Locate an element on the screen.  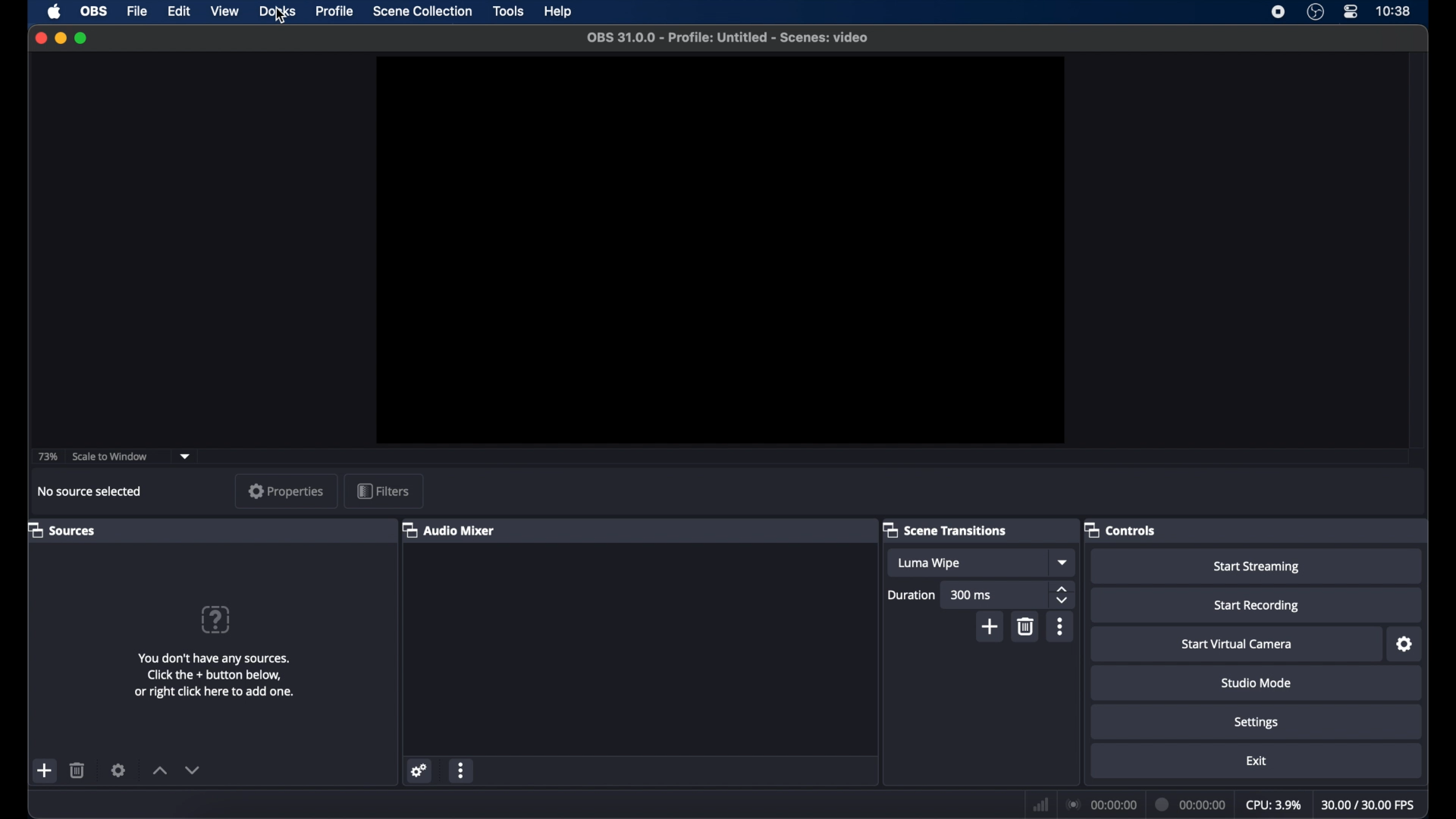
30.00/30.00 fps is located at coordinates (1368, 805).